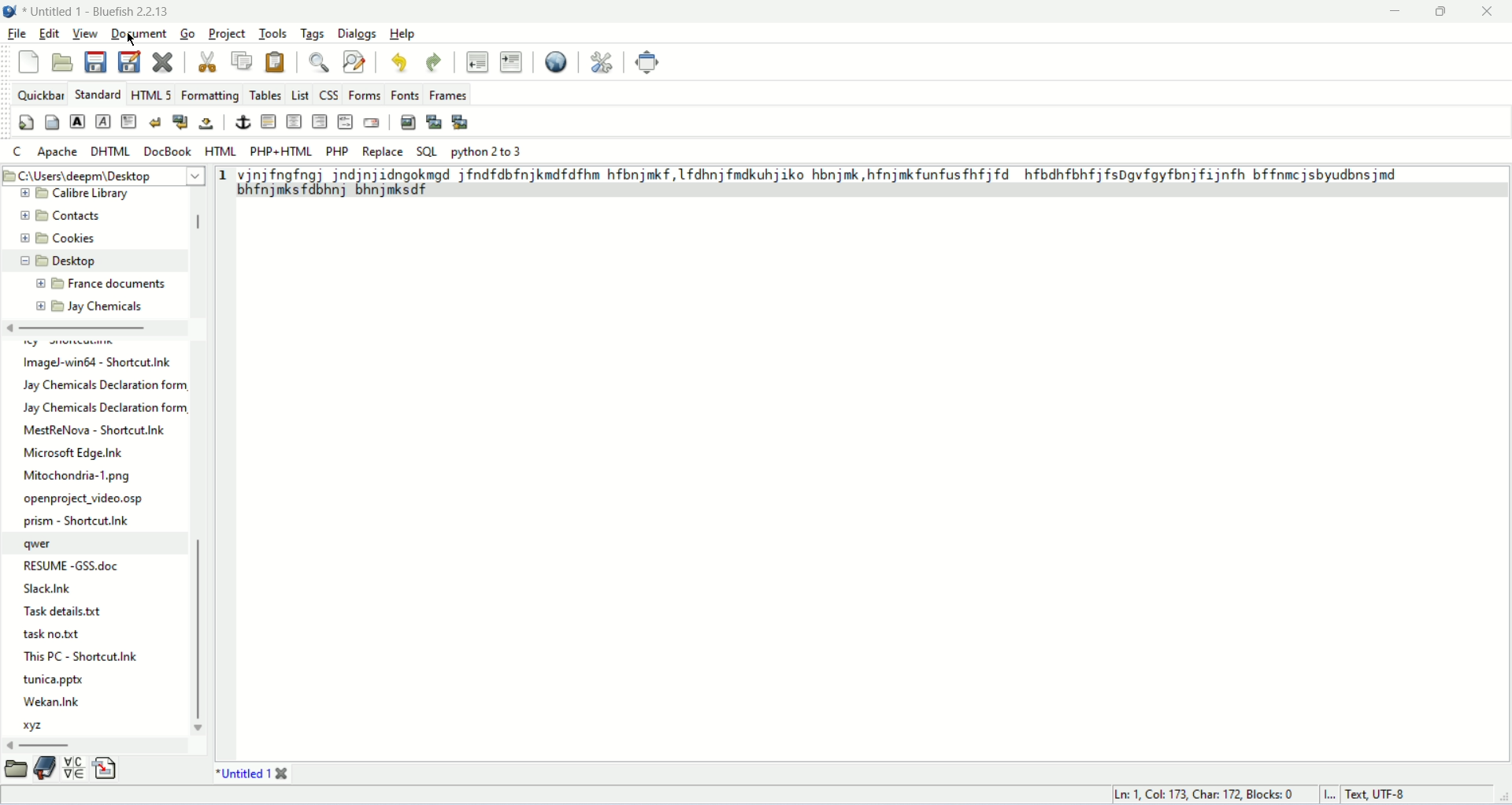 The width and height of the screenshot is (1512, 805). I want to click on 5 C:\Users\deepm\Desktop, so click(88, 175).